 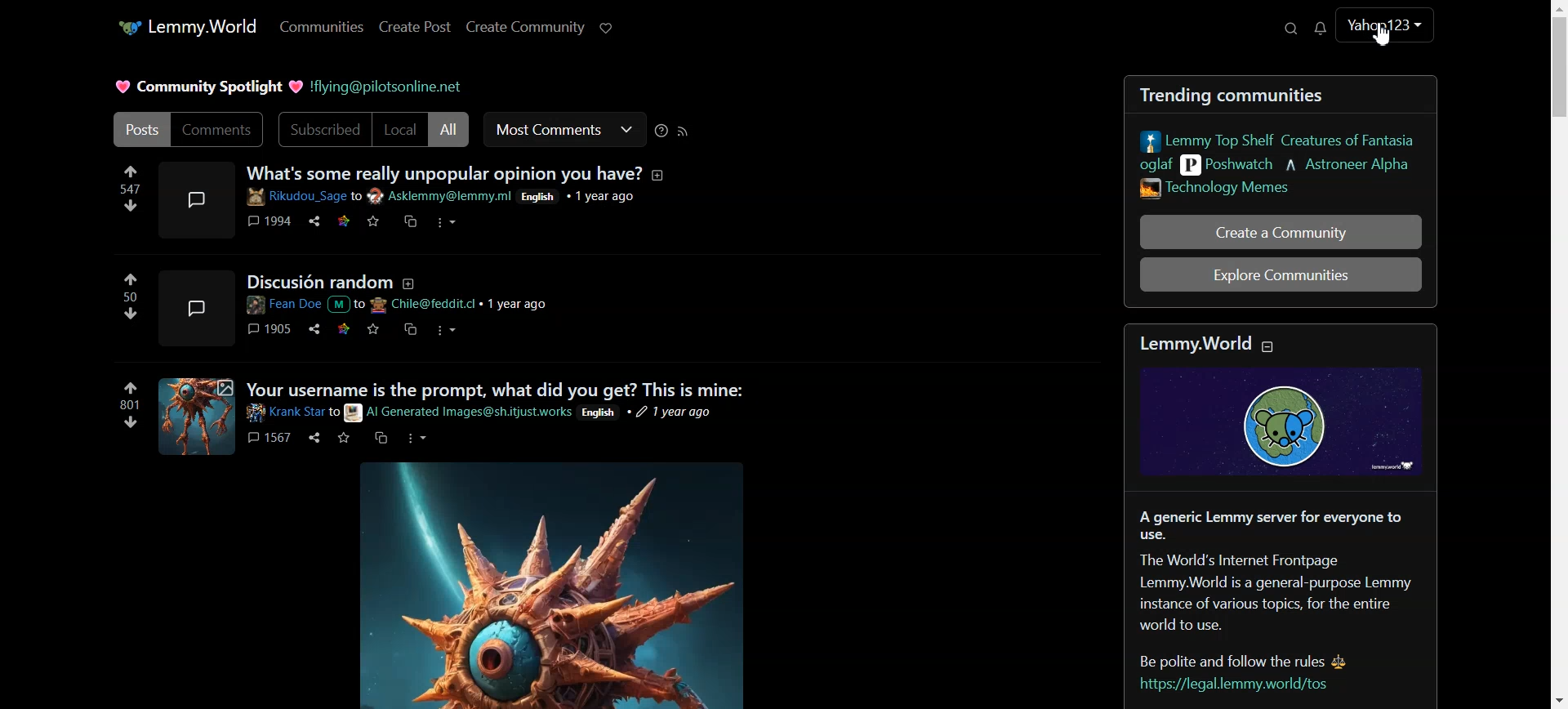 What do you see at coordinates (387, 86) in the screenshot?
I see `Hyperlink` at bounding box center [387, 86].